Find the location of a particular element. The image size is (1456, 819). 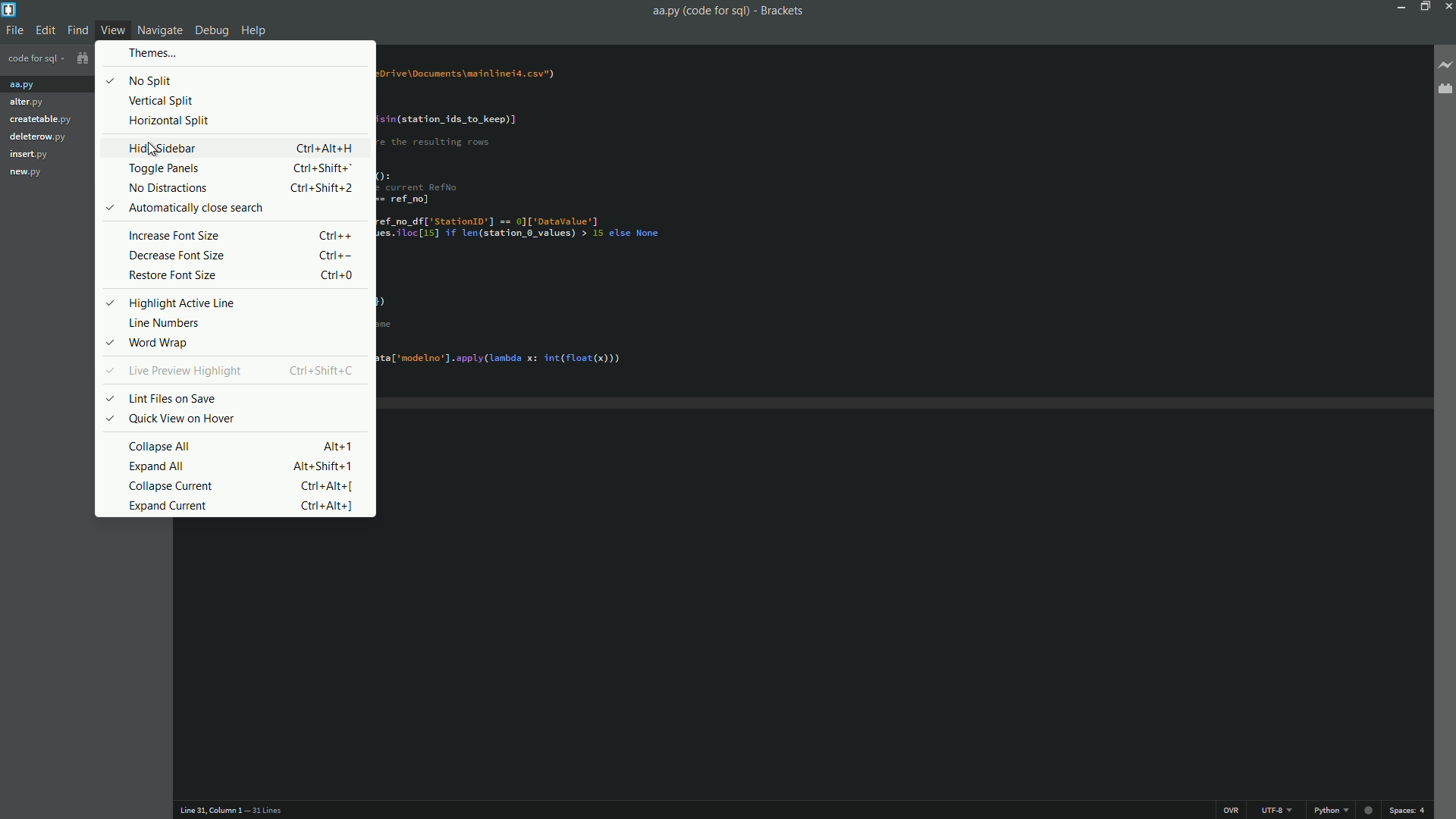

no distractions button is located at coordinates (168, 188).